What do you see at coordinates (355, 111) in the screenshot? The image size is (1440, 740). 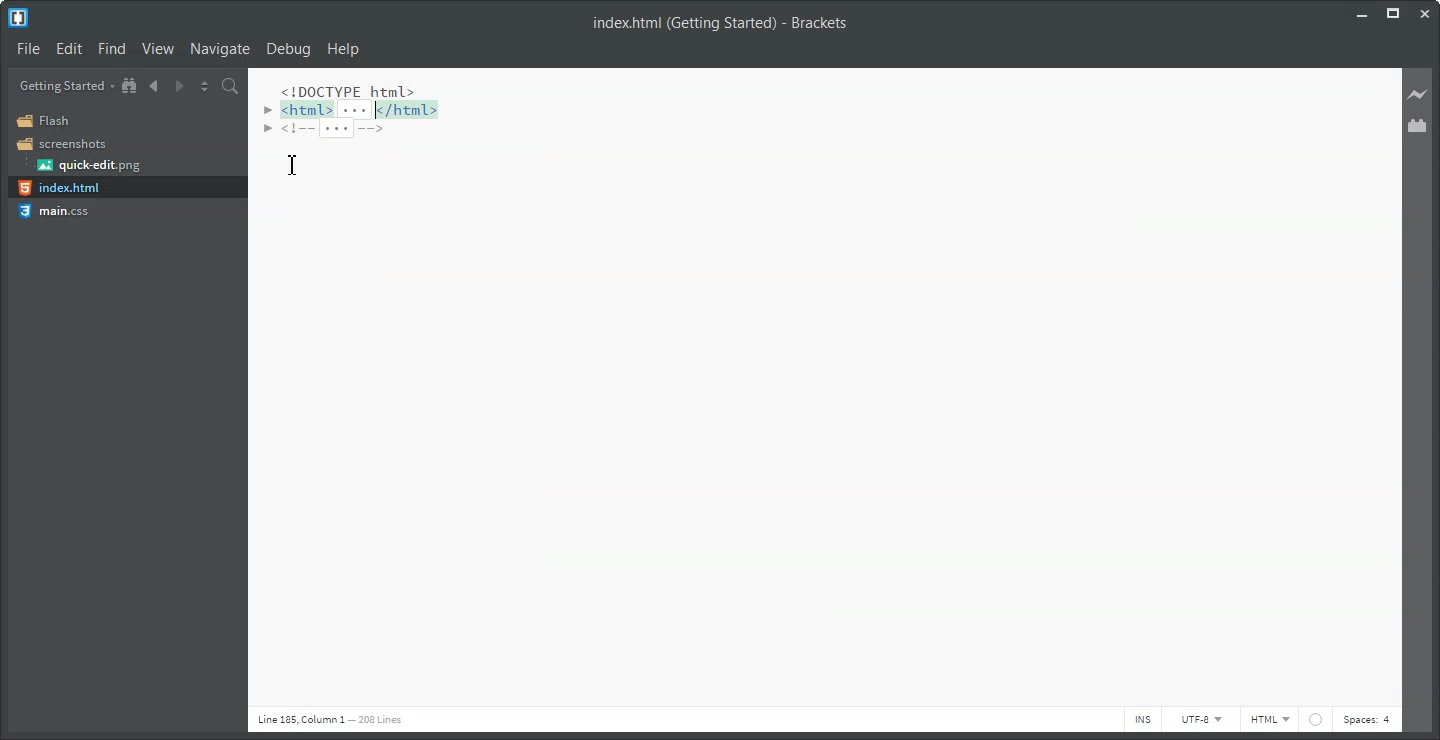 I see `Code Collapse` at bounding box center [355, 111].